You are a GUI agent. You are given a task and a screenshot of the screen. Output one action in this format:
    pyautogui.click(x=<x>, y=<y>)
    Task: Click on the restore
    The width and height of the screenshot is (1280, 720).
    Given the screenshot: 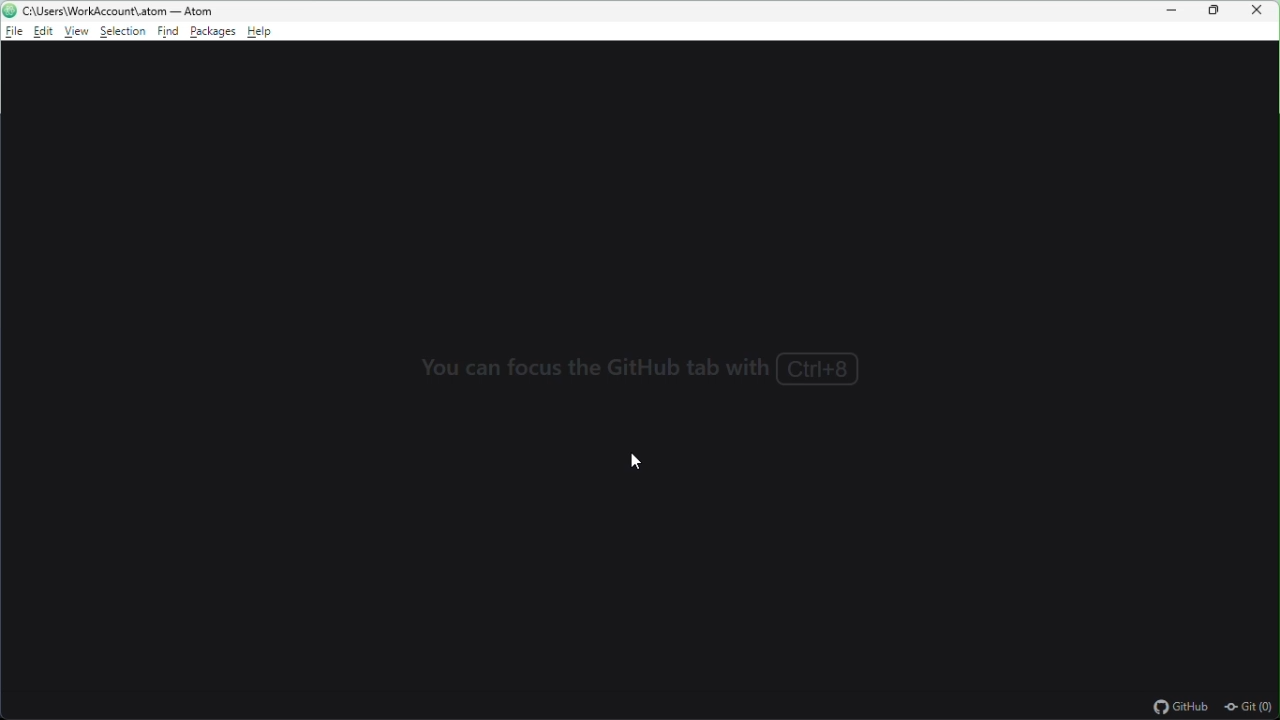 What is the action you would take?
    pyautogui.click(x=1216, y=10)
    